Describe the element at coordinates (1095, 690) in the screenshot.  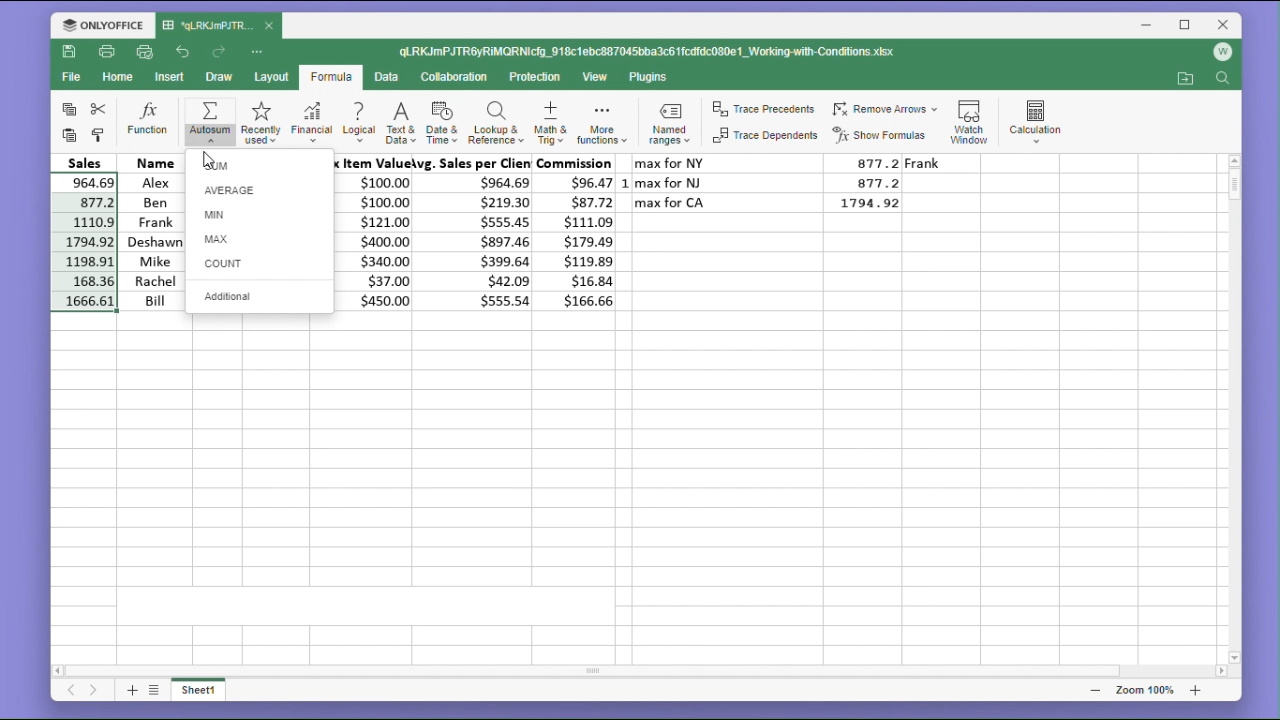
I see `zoom out` at that location.